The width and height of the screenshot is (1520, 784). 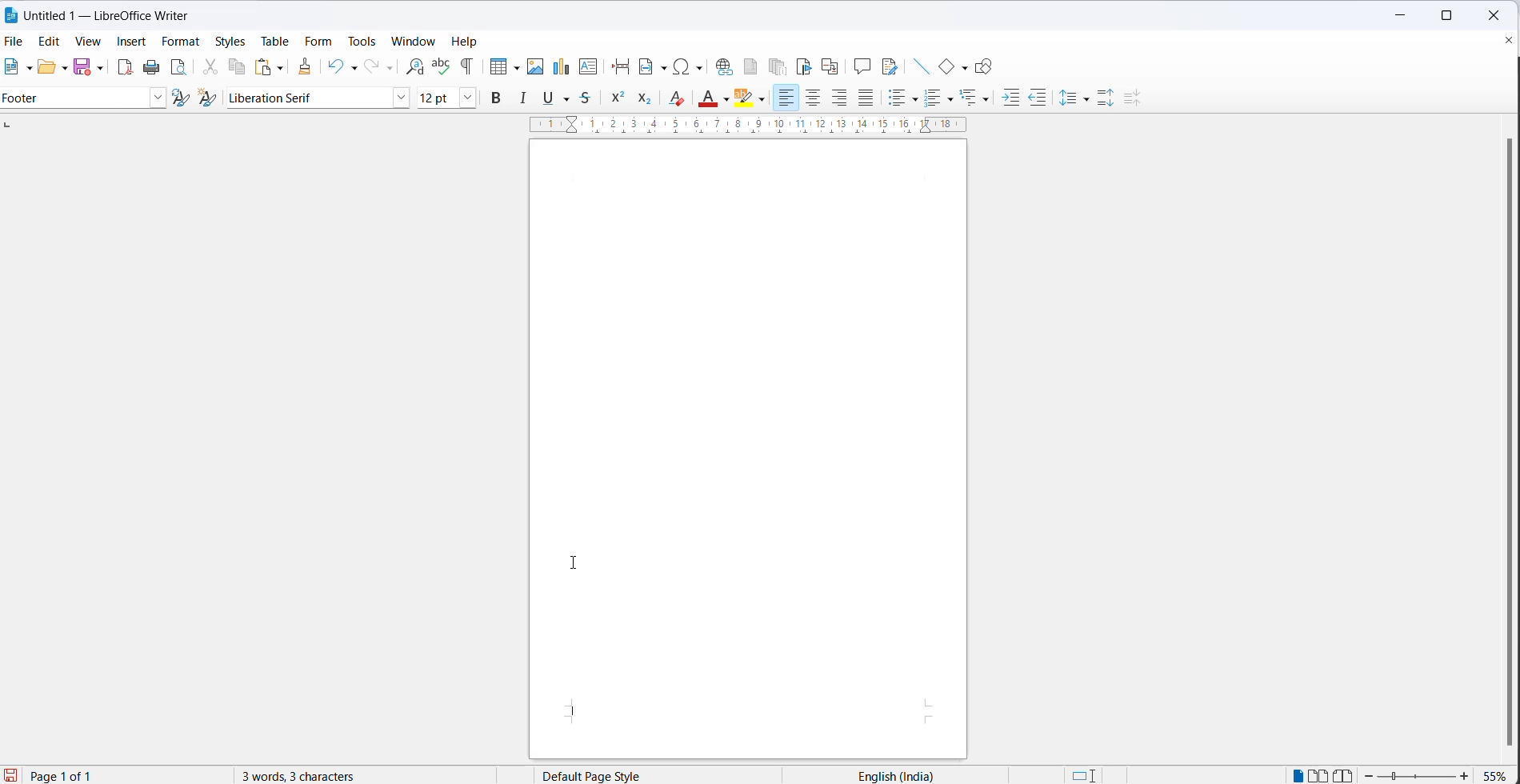 I want to click on insert bookmark, so click(x=802, y=66).